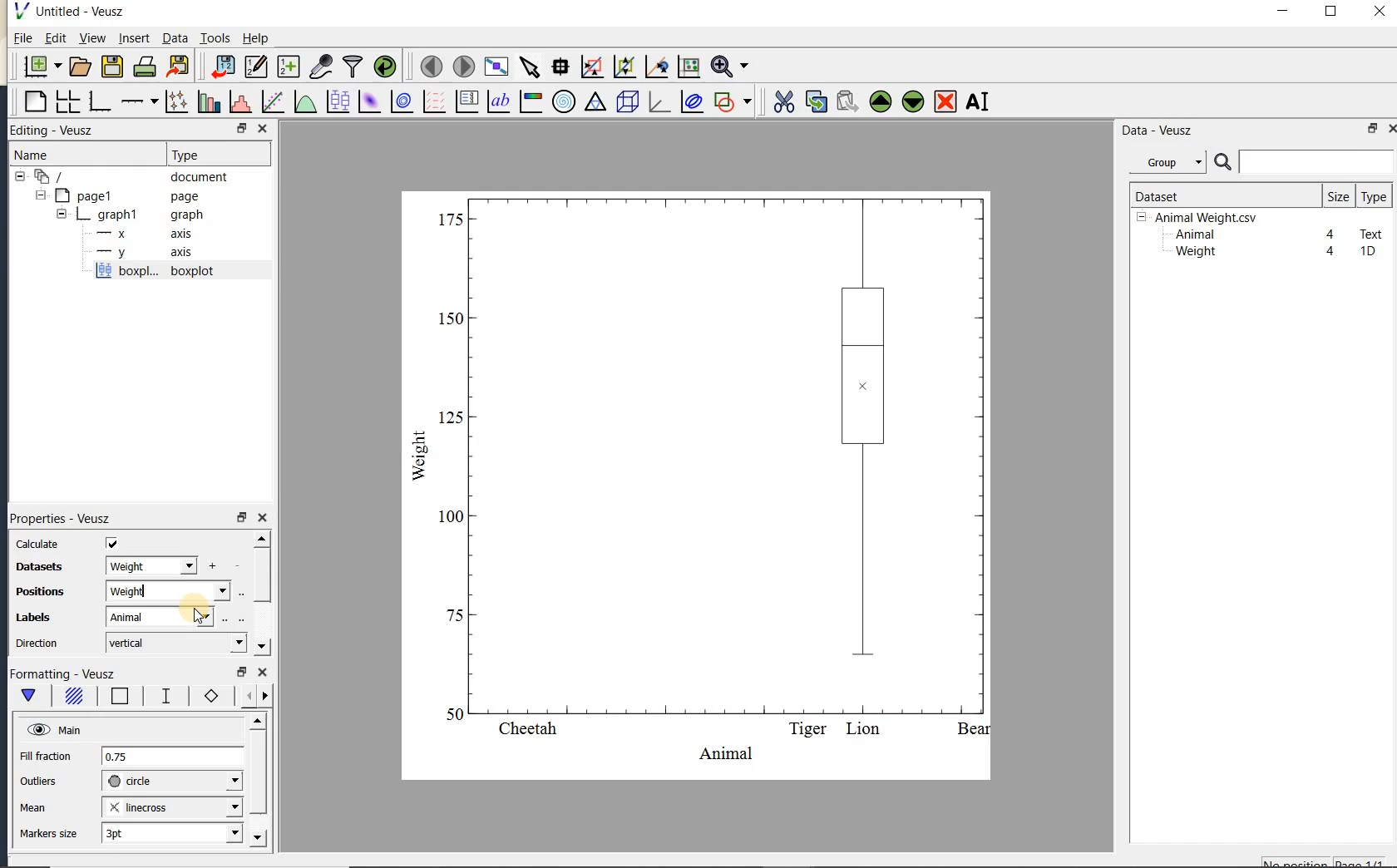 This screenshot has height=868, width=1397. I want to click on main formatting, so click(28, 698).